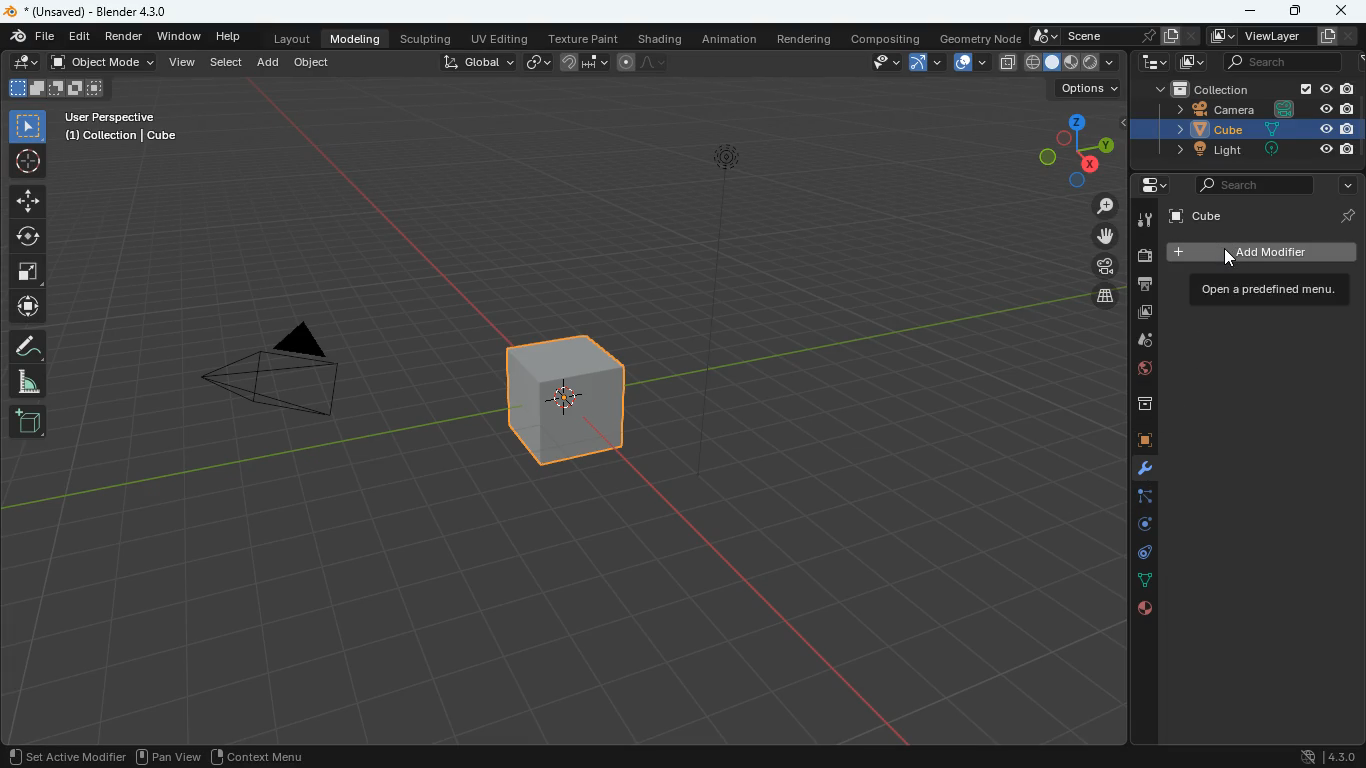 This screenshot has width=1366, height=768. What do you see at coordinates (26, 165) in the screenshot?
I see `aim` at bounding box center [26, 165].